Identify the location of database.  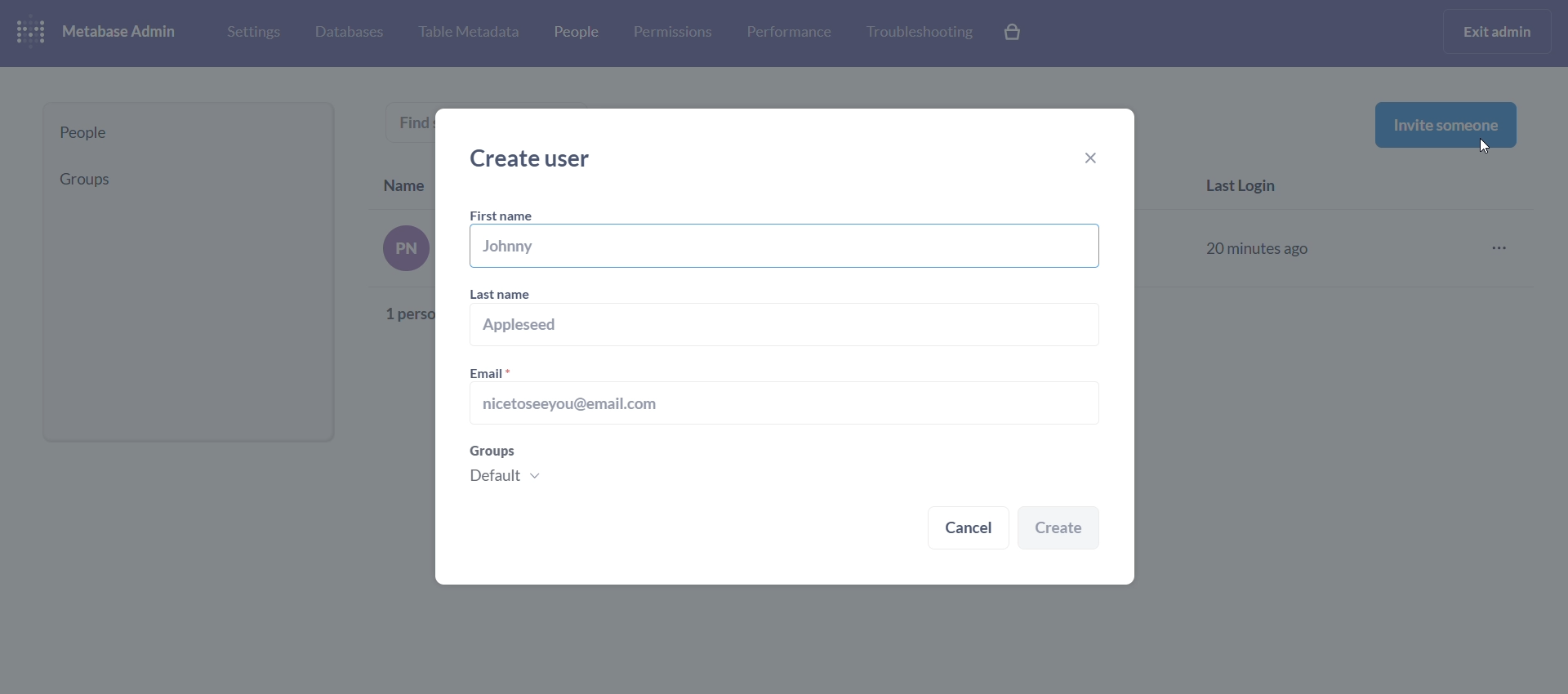
(346, 33).